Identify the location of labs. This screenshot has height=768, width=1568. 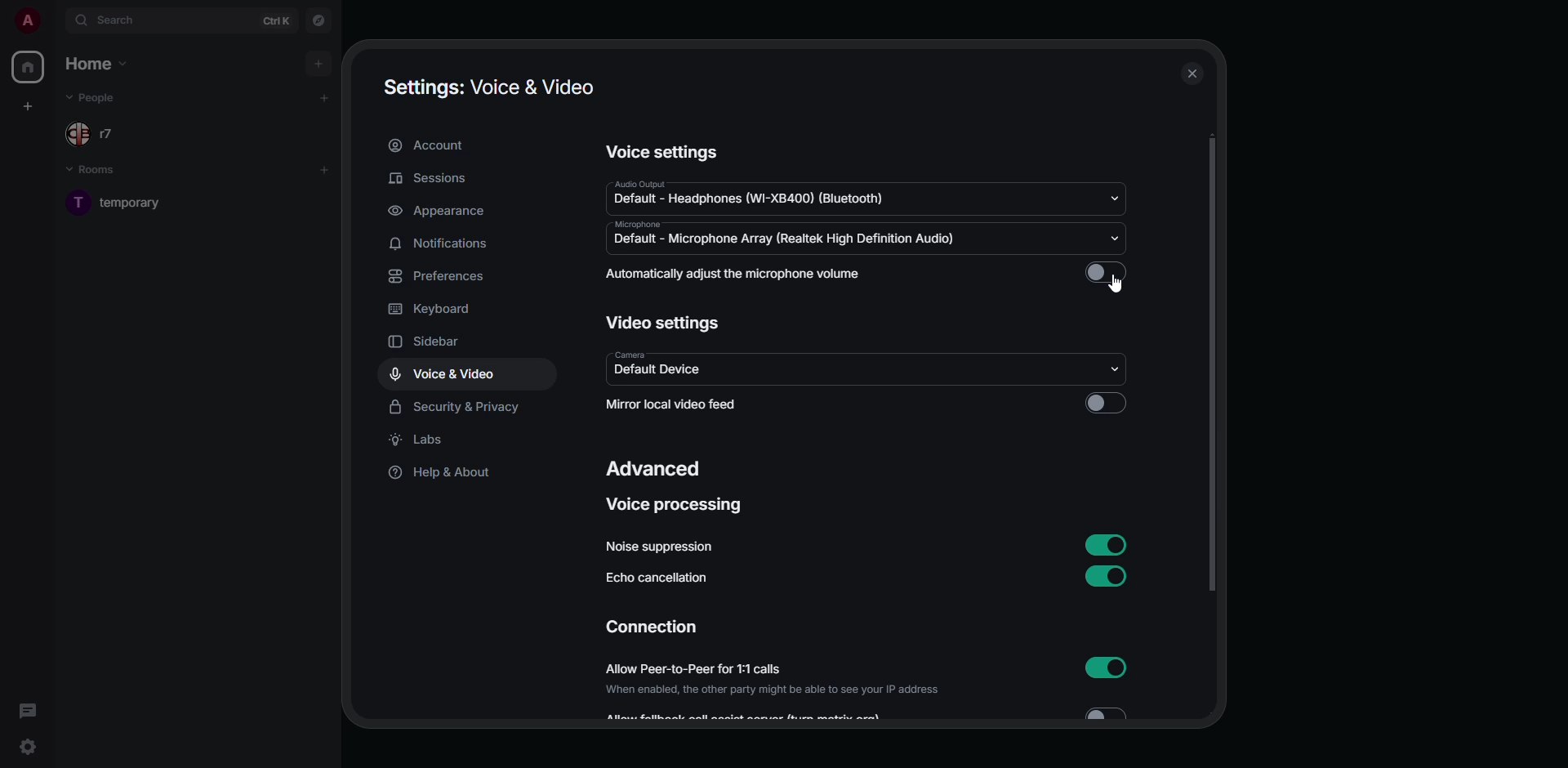
(420, 440).